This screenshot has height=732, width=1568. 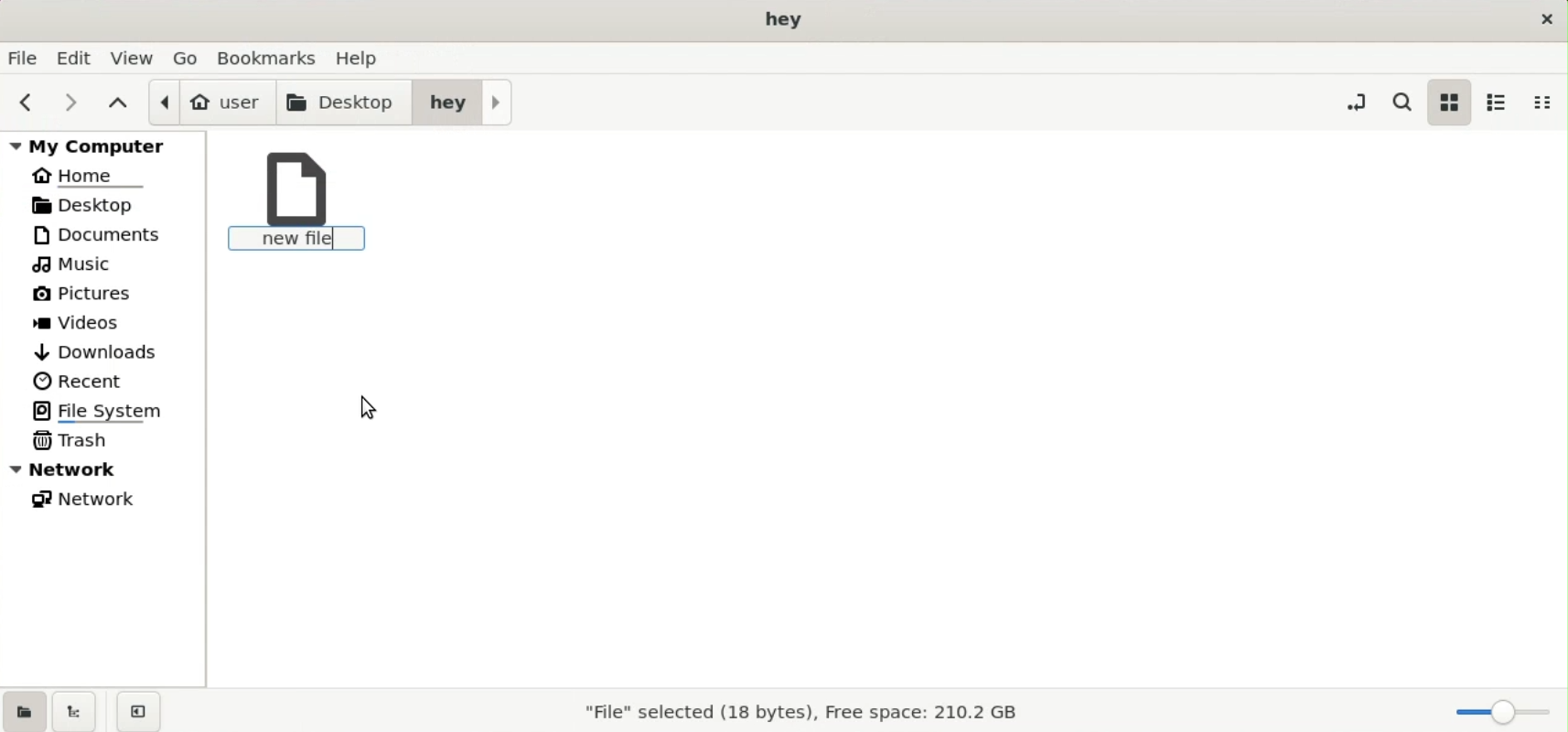 What do you see at coordinates (1448, 102) in the screenshot?
I see `icon view` at bounding box center [1448, 102].